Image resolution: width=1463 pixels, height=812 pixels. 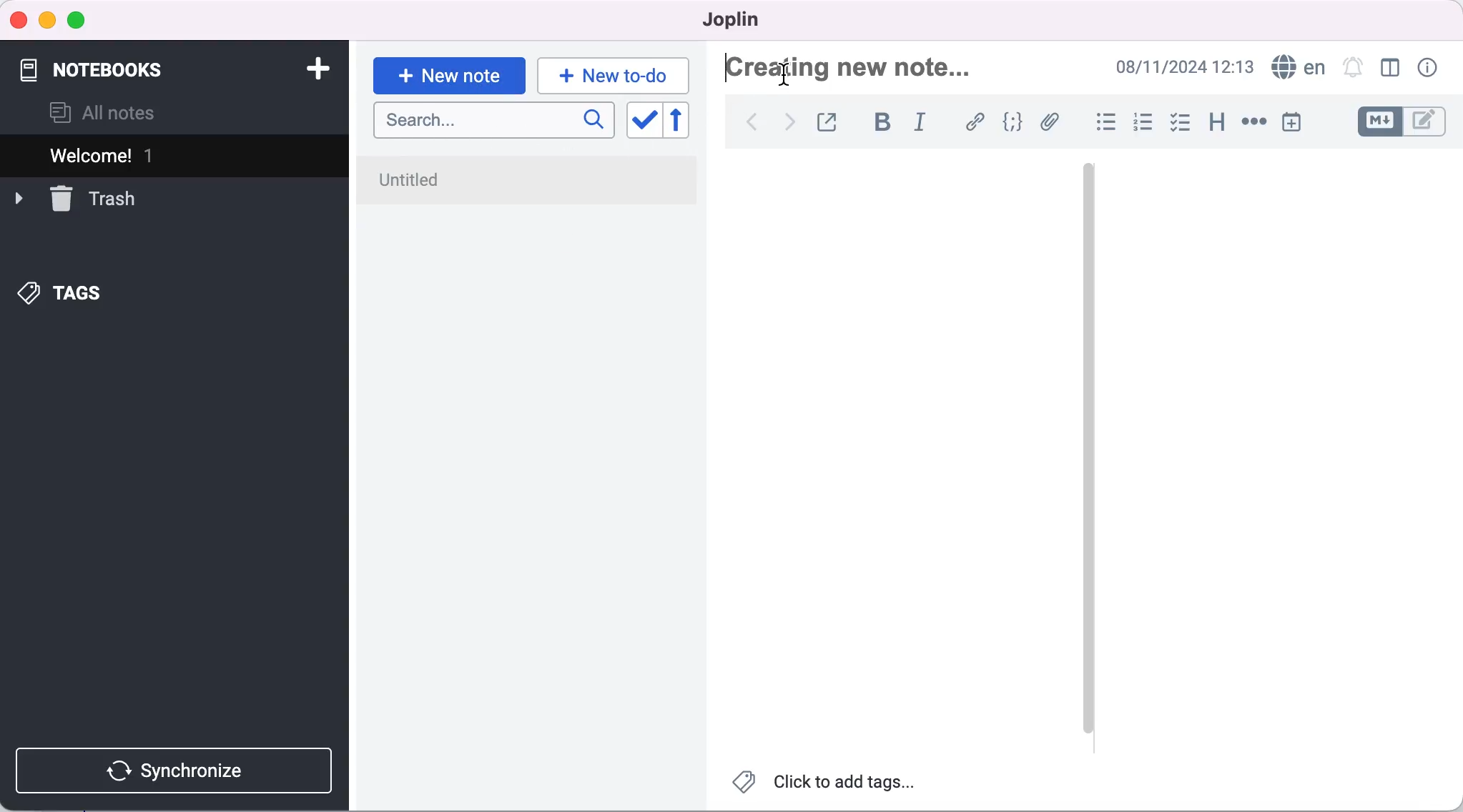 I want to click on new to-do, so click(x=618, y=75).